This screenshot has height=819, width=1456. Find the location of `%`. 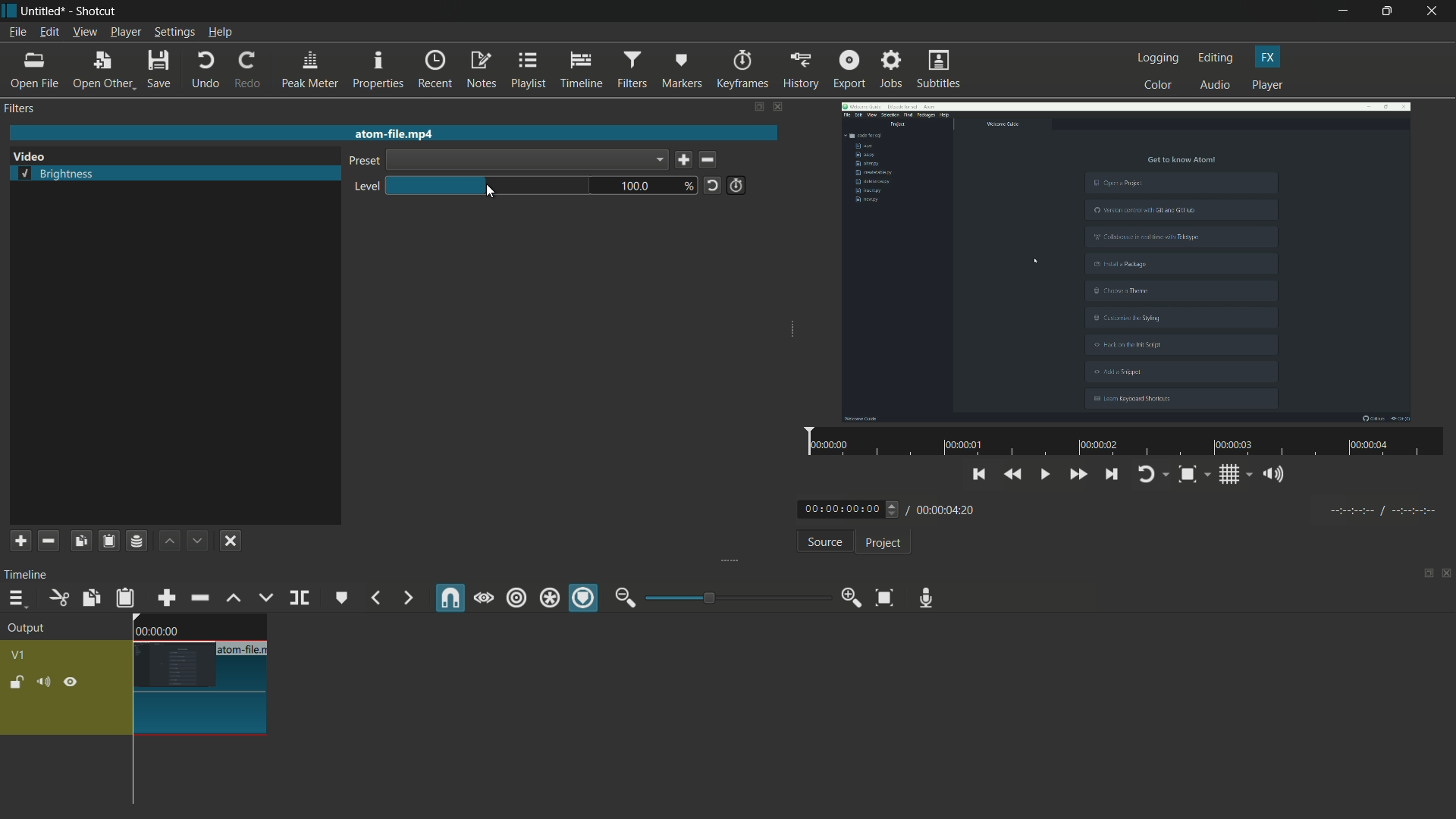

% is located at coordinates (690, 187).